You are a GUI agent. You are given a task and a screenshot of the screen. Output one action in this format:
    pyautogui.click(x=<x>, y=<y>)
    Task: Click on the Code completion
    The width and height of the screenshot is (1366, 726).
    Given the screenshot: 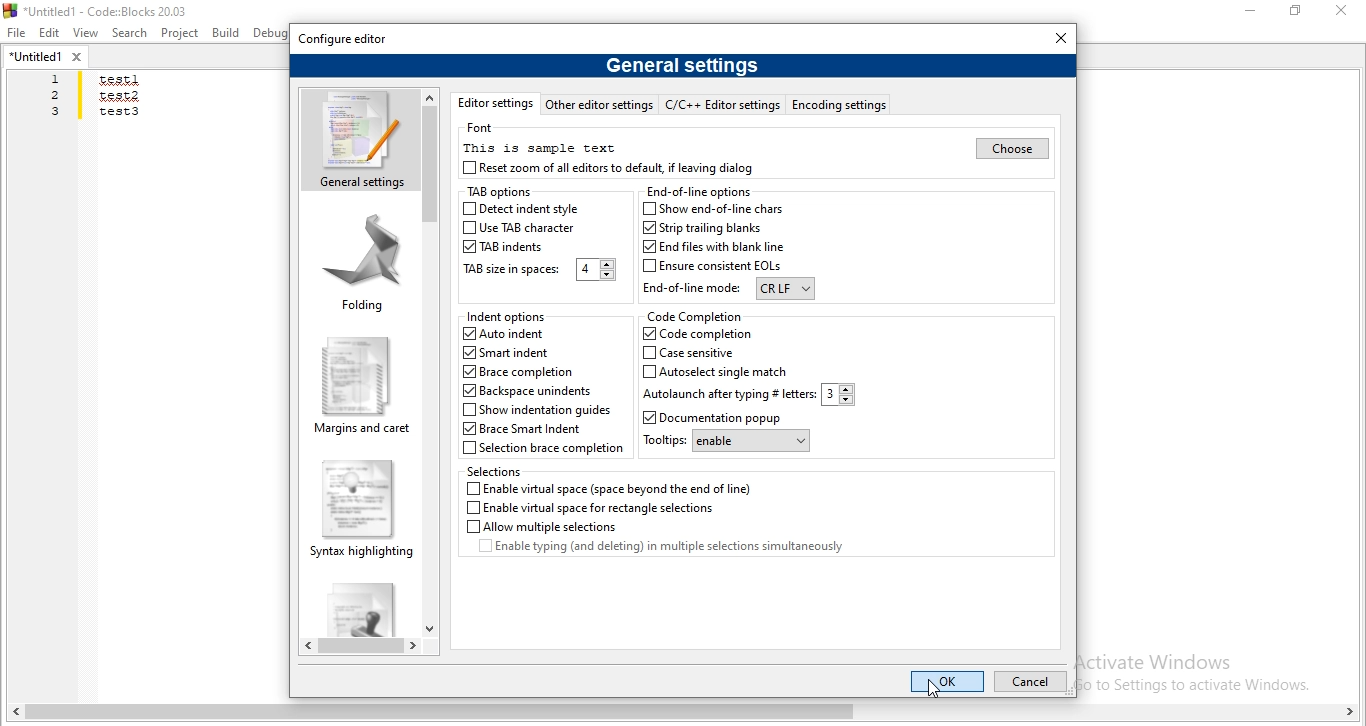 What is the action you would take?
    pyautogui.click(x=696, y=334)
    